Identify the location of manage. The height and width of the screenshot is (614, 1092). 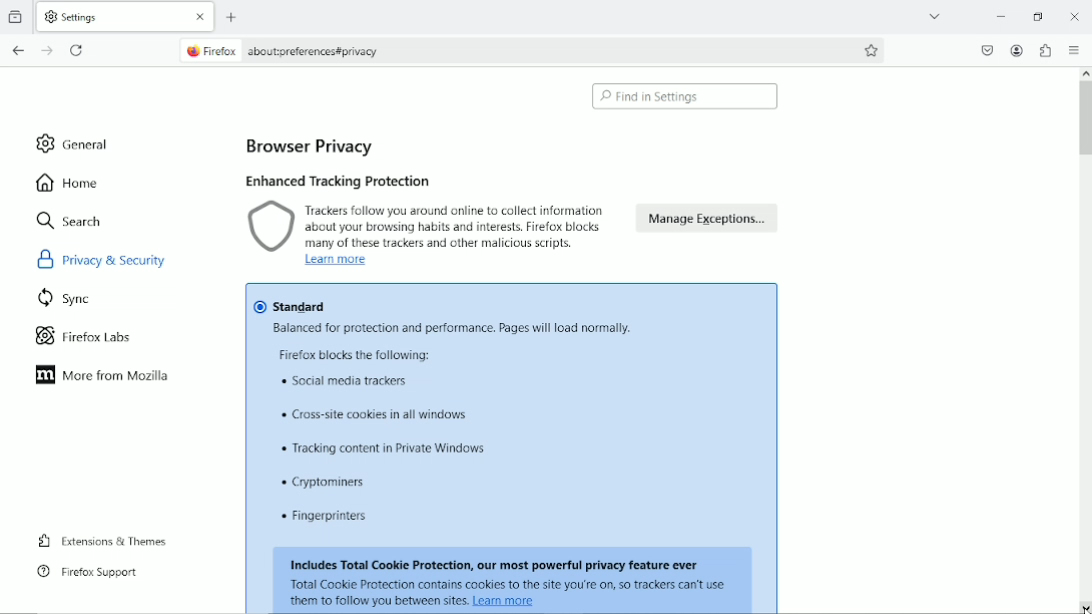
(709, 218).